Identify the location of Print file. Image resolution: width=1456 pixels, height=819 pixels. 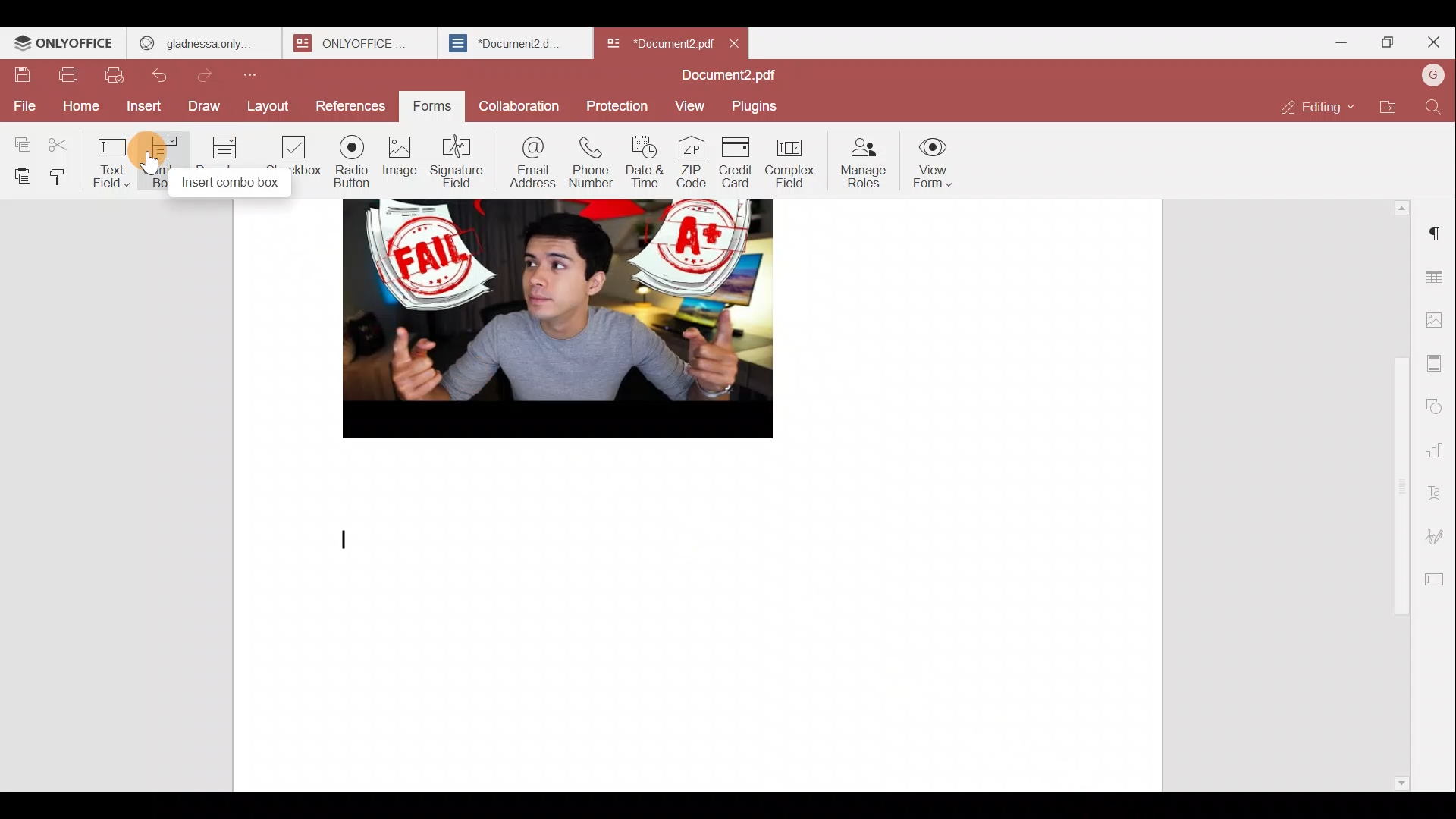
(68, 77).